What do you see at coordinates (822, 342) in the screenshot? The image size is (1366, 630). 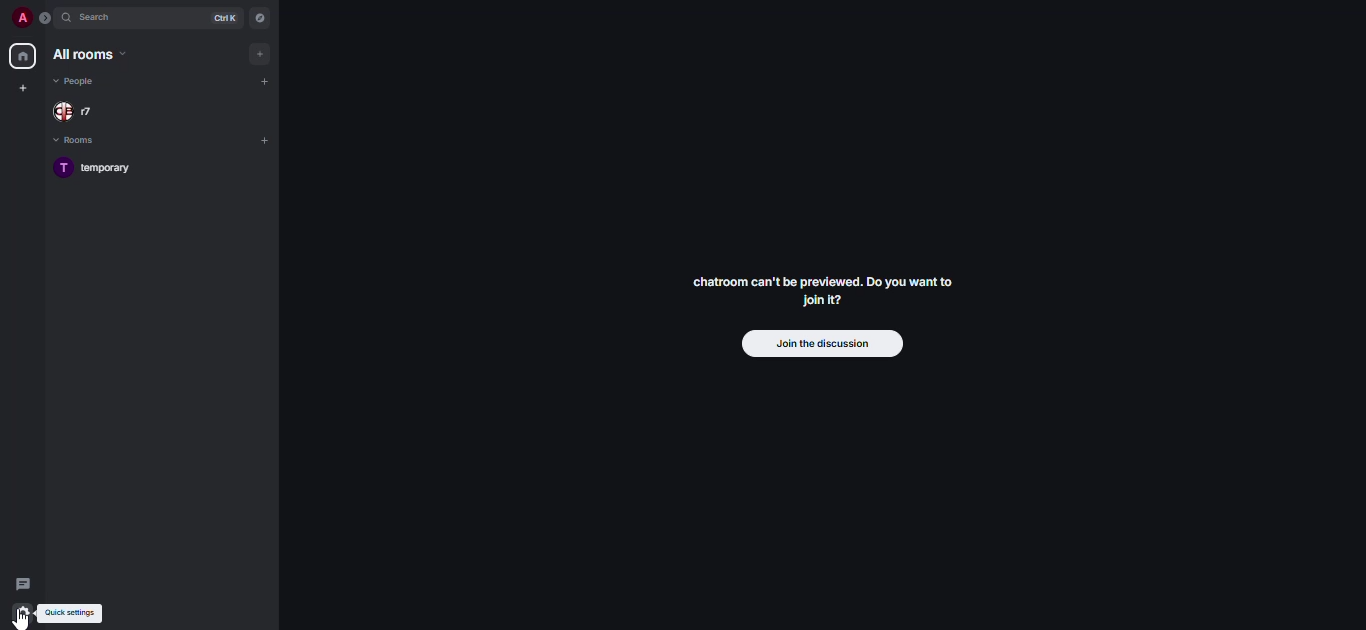 I see `join the discussion` at bounding box center [822, 342].